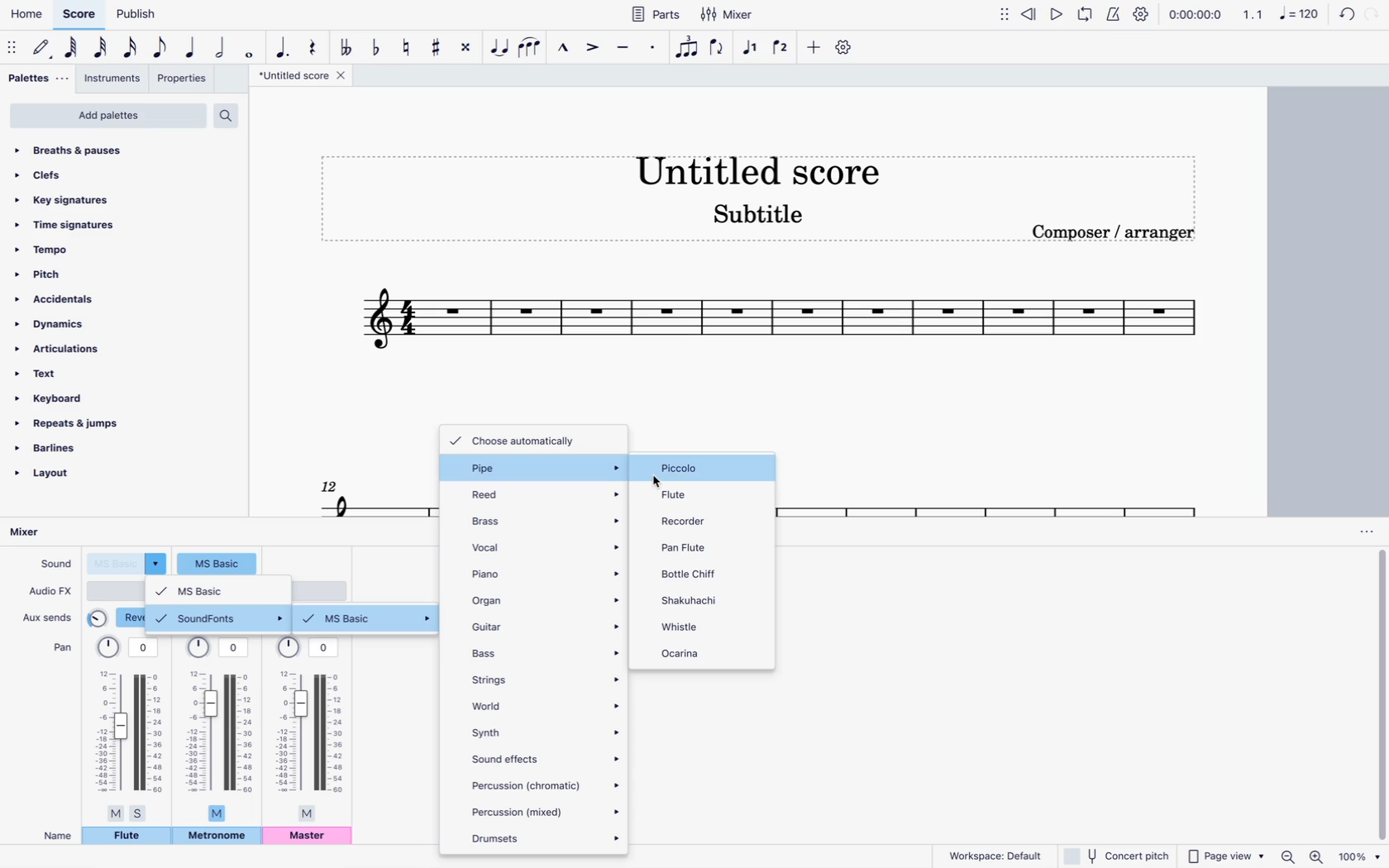 The image size is (1389, 868). What do you see at coordinates (991, 498) in the screenshot?
I see `scale` at bounding box center [991, 498].